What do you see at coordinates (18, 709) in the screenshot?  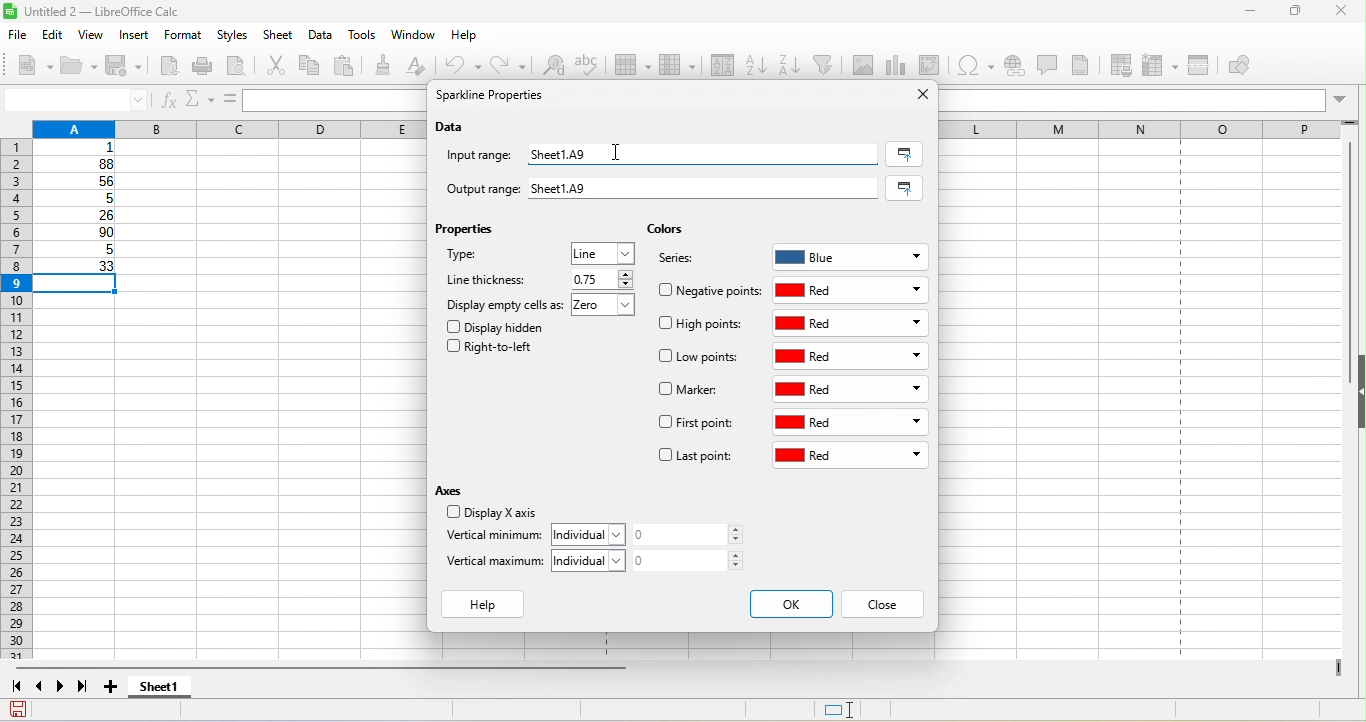 I see `save document` at bounding box center [18, 709].